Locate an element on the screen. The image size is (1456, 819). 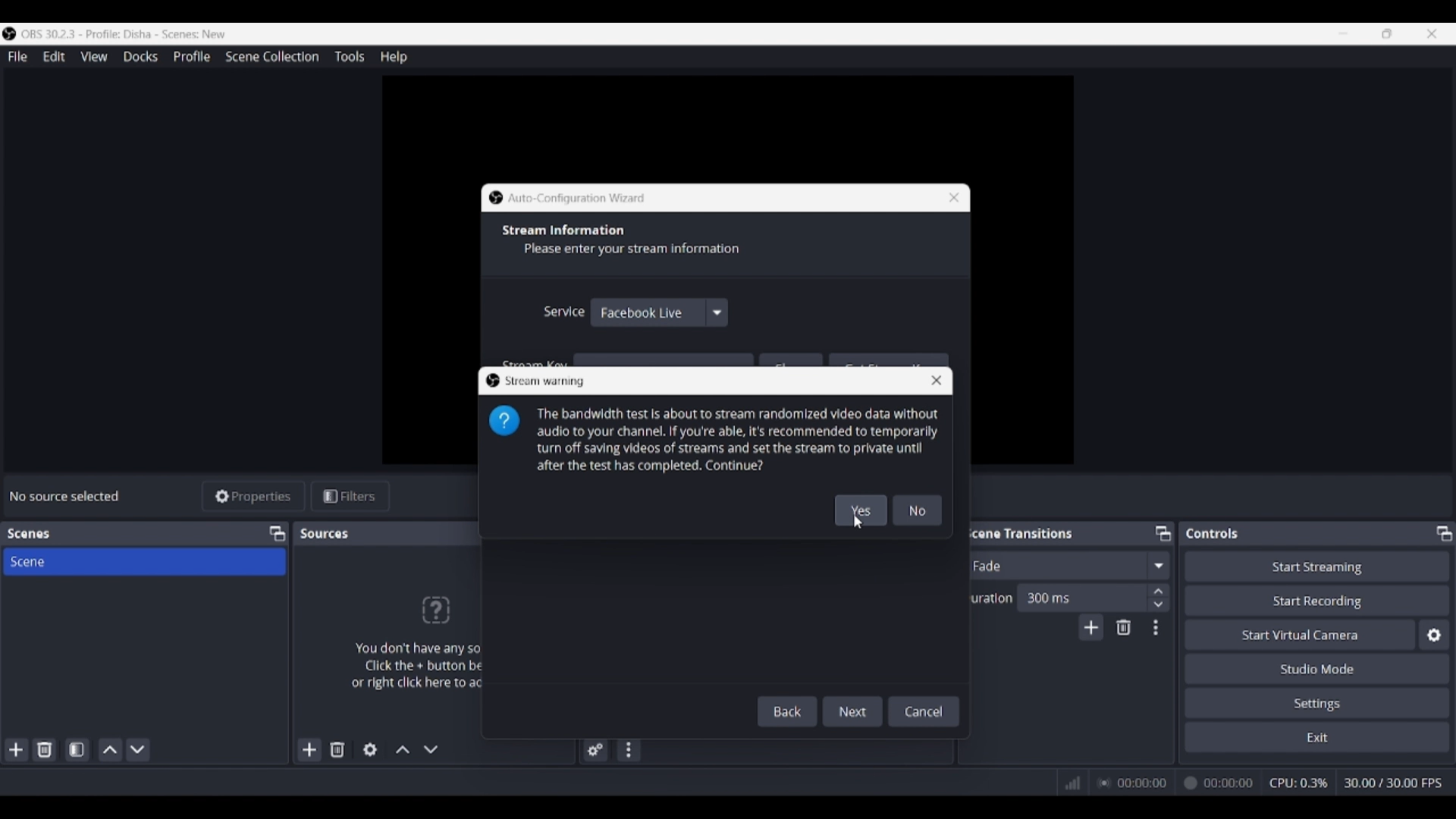
Add transition is located at coordinates (1090, 627).